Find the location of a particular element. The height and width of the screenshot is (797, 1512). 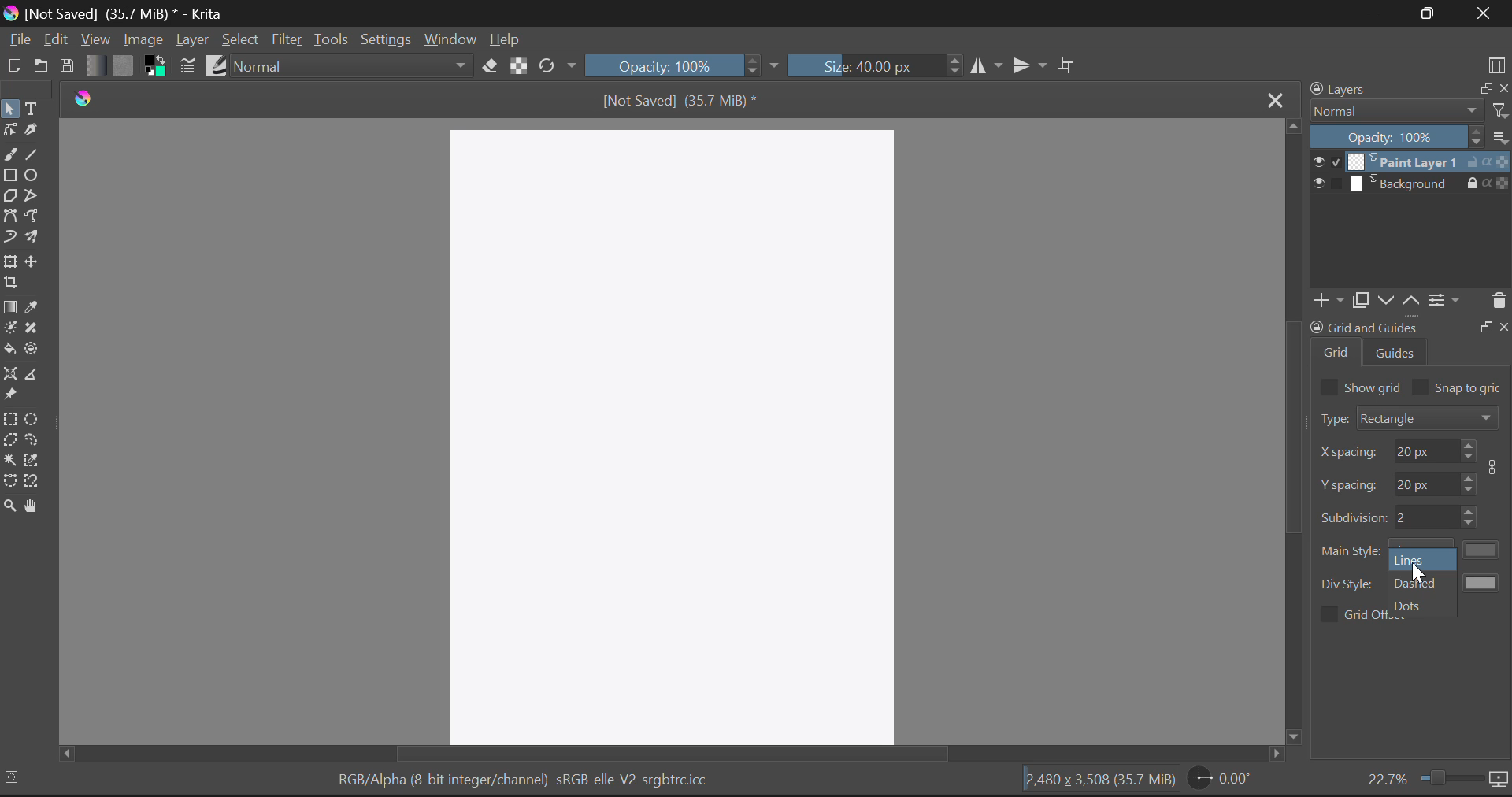

grid is located at coordinates (1337, 352).